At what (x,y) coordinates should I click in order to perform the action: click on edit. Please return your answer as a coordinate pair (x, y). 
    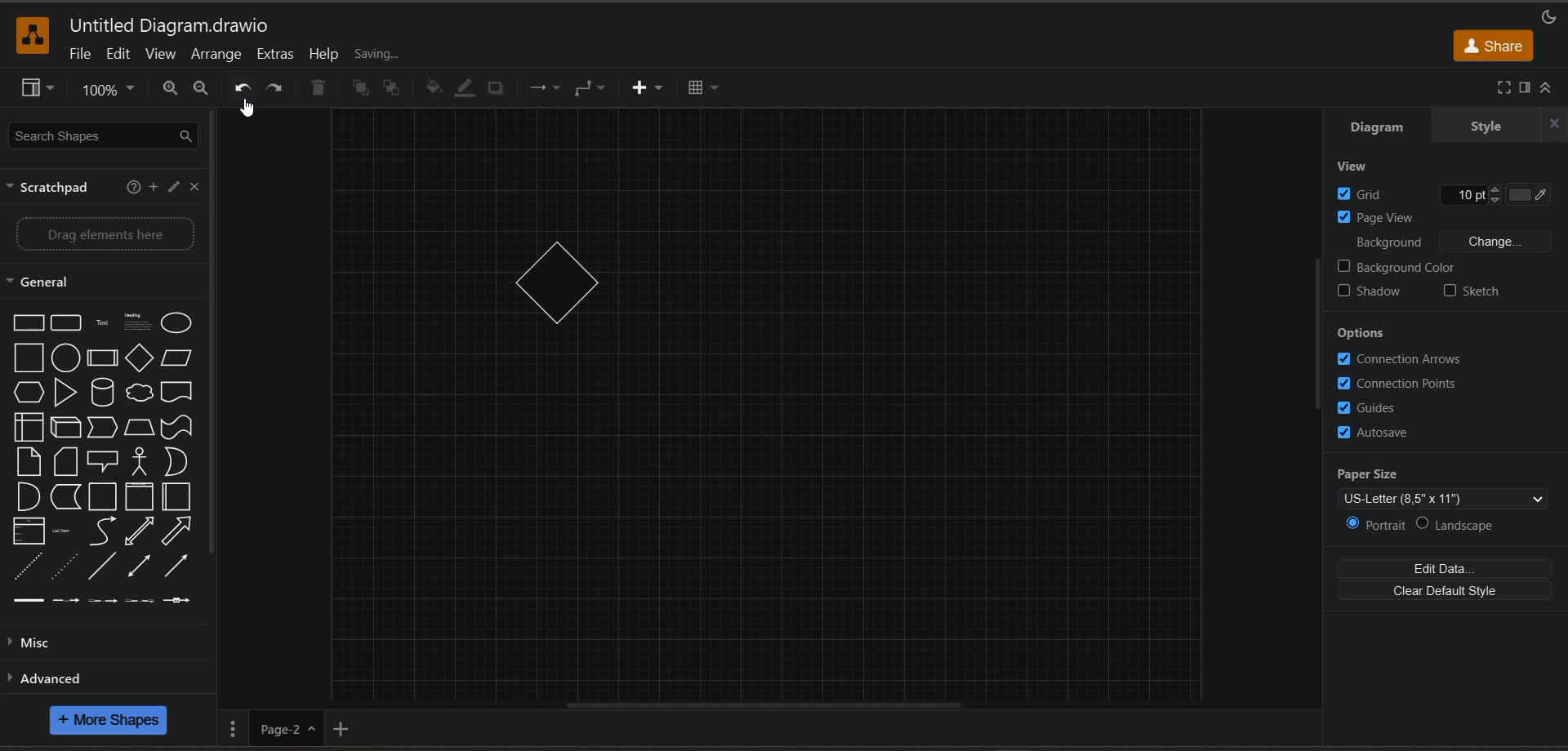
    Looking at the image, I should click on (120, 54).